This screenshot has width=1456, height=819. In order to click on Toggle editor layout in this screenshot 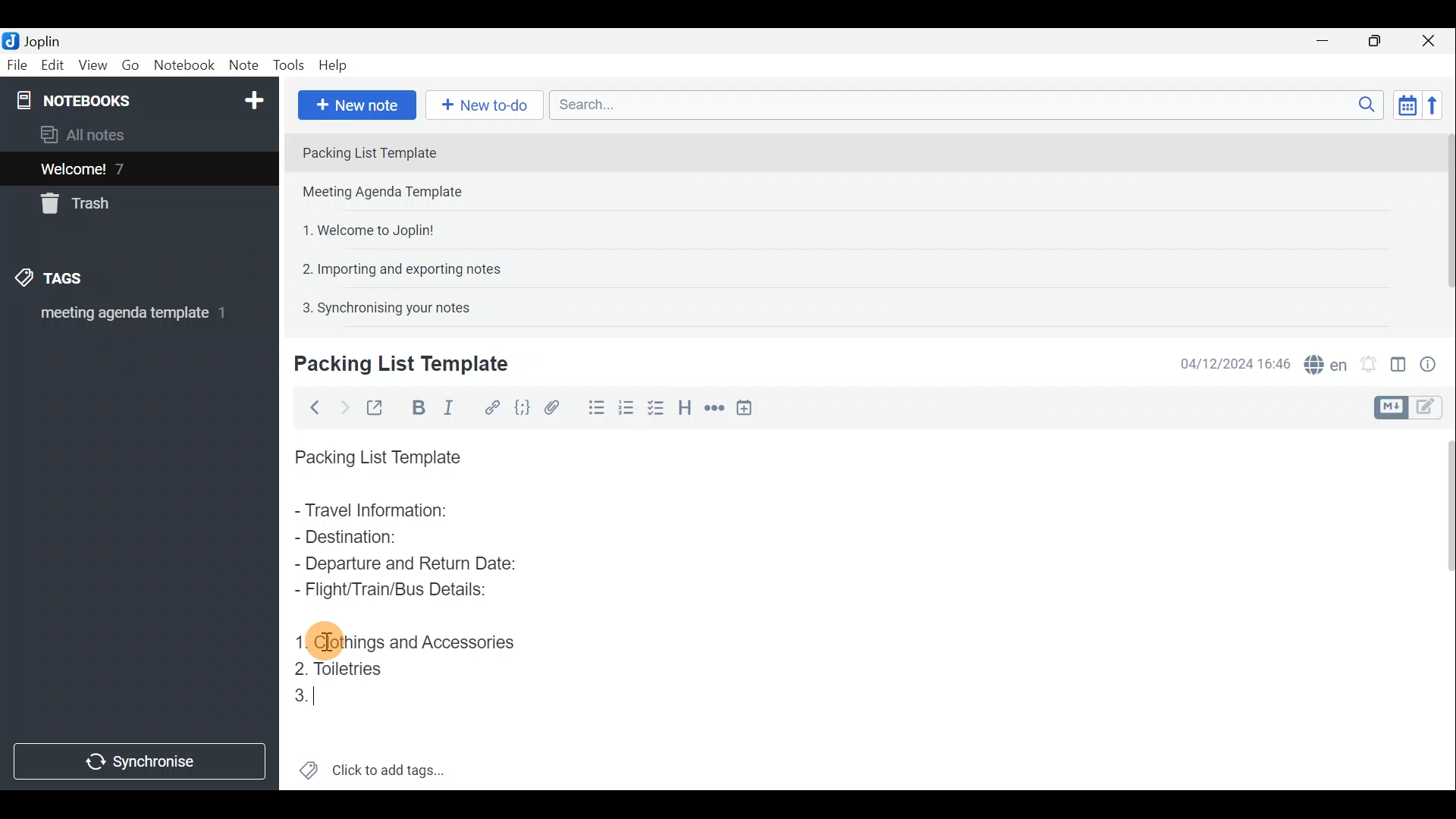, I will do `click(1398, 359)`.